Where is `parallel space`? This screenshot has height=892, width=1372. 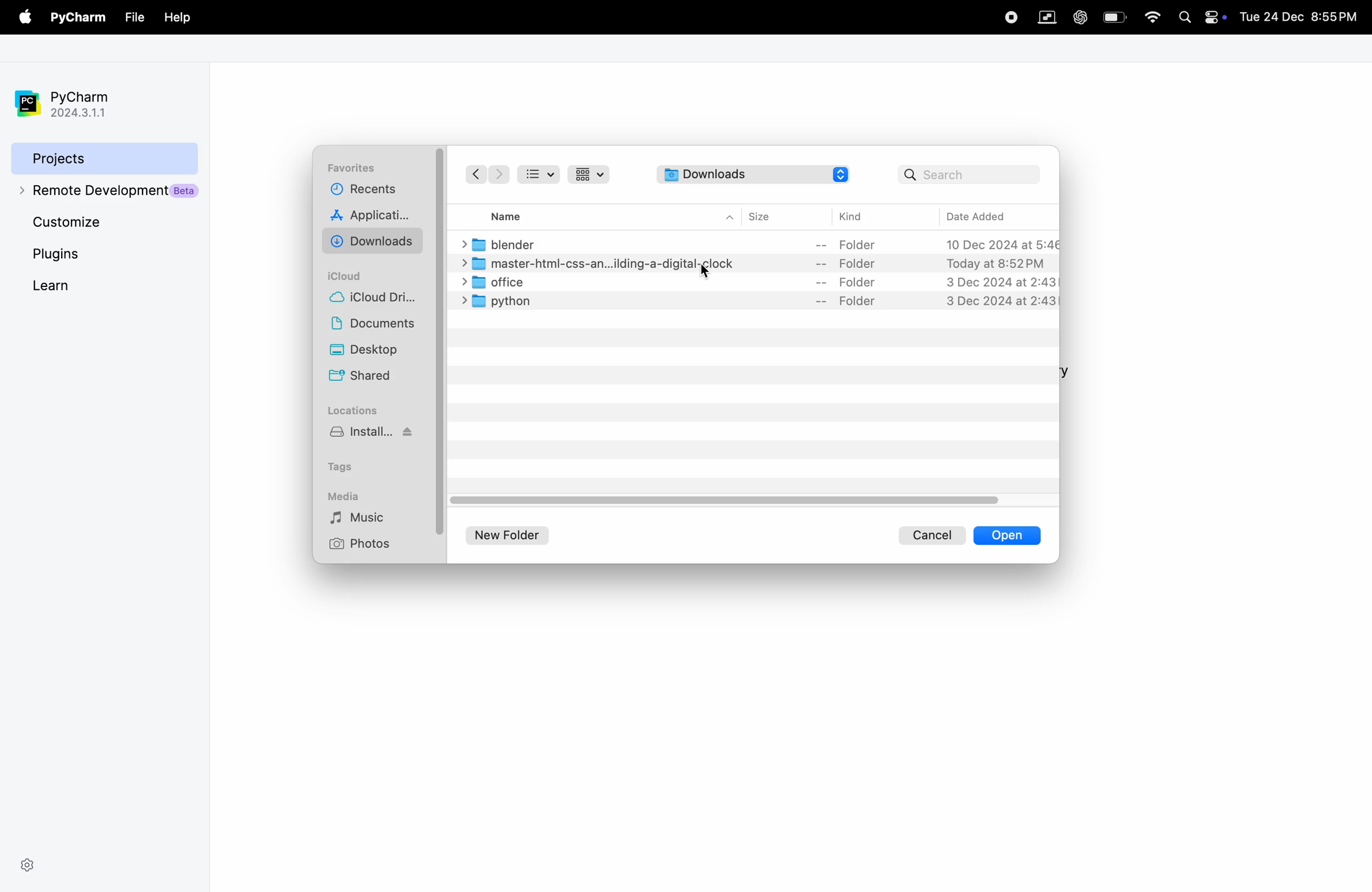 parallel space is located at coordinates (1044, 16).